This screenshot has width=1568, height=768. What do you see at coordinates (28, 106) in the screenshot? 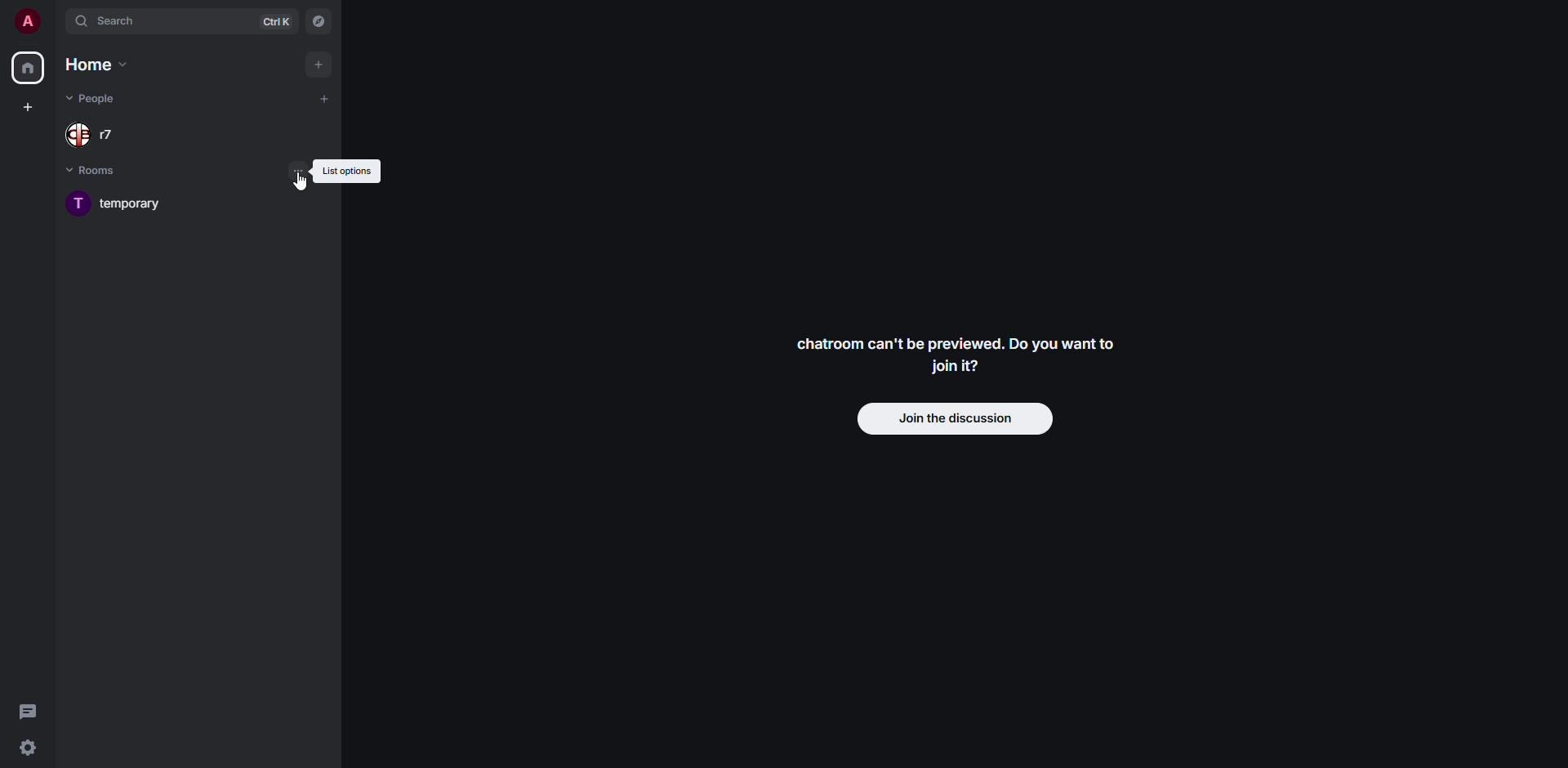
I see `create space` at bounding box center [28, 106].